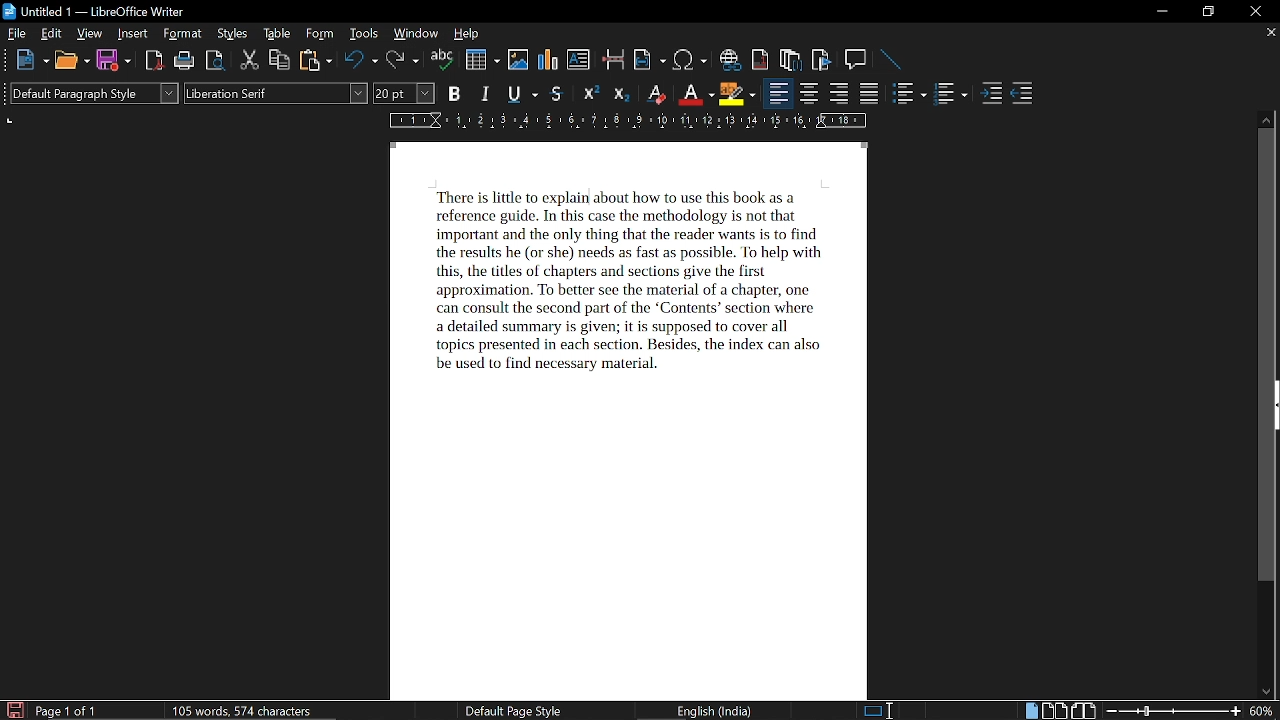 The width and height of the screenshot is (1280, 720). I want to click on insert chart, so click(549, 60).